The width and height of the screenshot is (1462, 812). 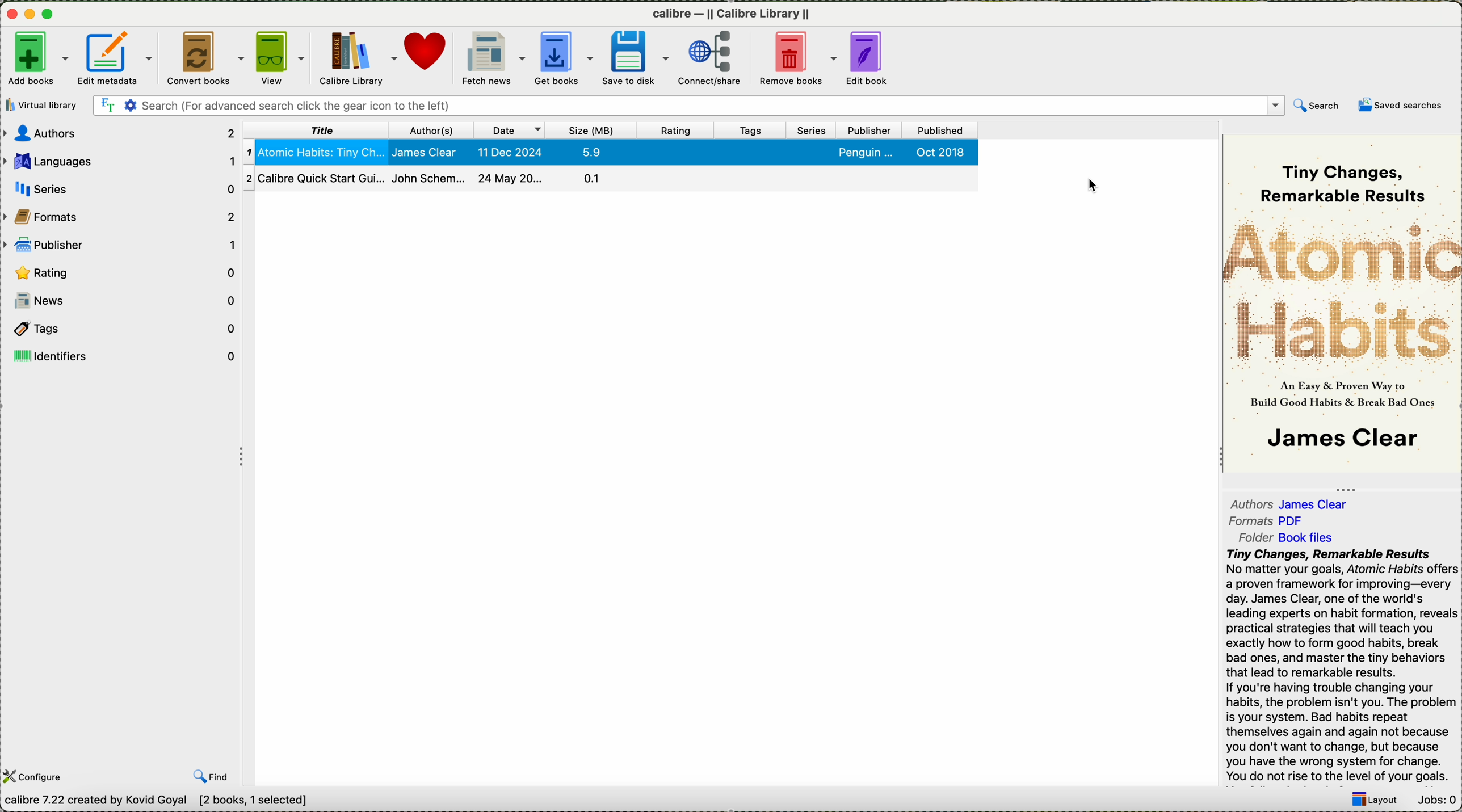 What do you see at coordinates (1299, 504) in the screenshot?
I see `authors` at bounding box center [1299, 504].